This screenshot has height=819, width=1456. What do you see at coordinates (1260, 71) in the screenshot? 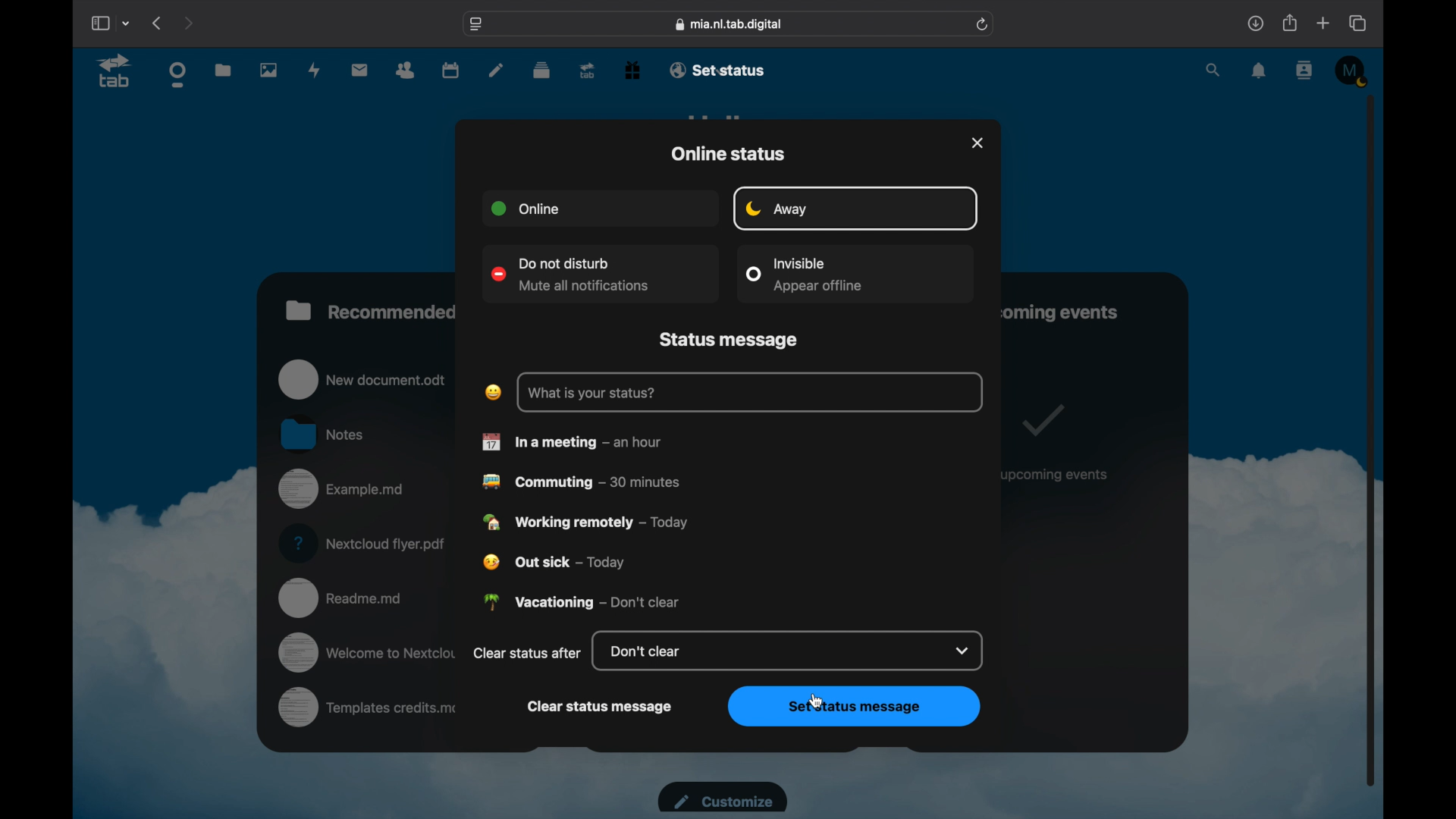
I see `notifications` at bounding box center [1260, 71].